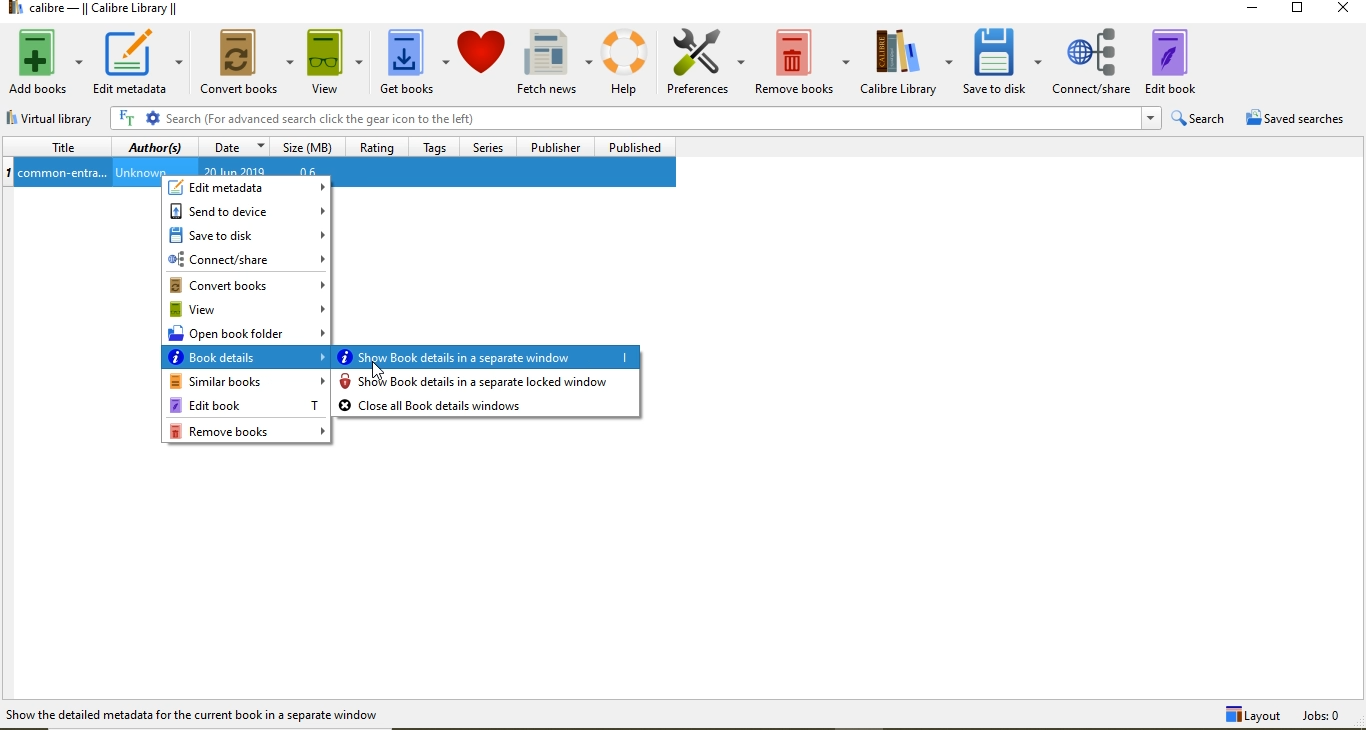 The height and width of the screenshot is (730, 1366). Describe the element at coordinates (1004, 63) in the screenshot. I see `save to disk` at that location.